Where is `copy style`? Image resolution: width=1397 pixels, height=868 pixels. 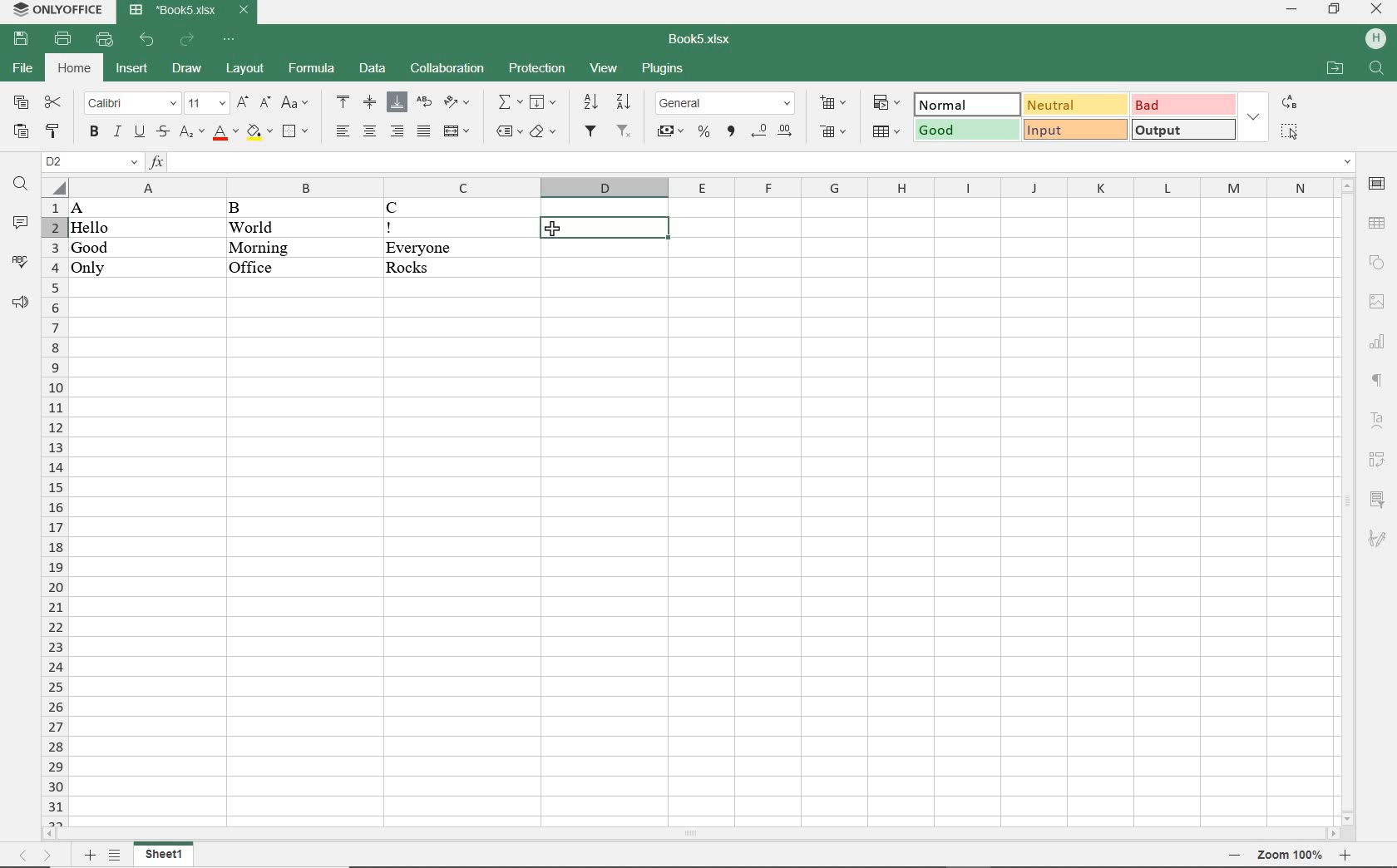
copy style is located at coordinates (52, 133).